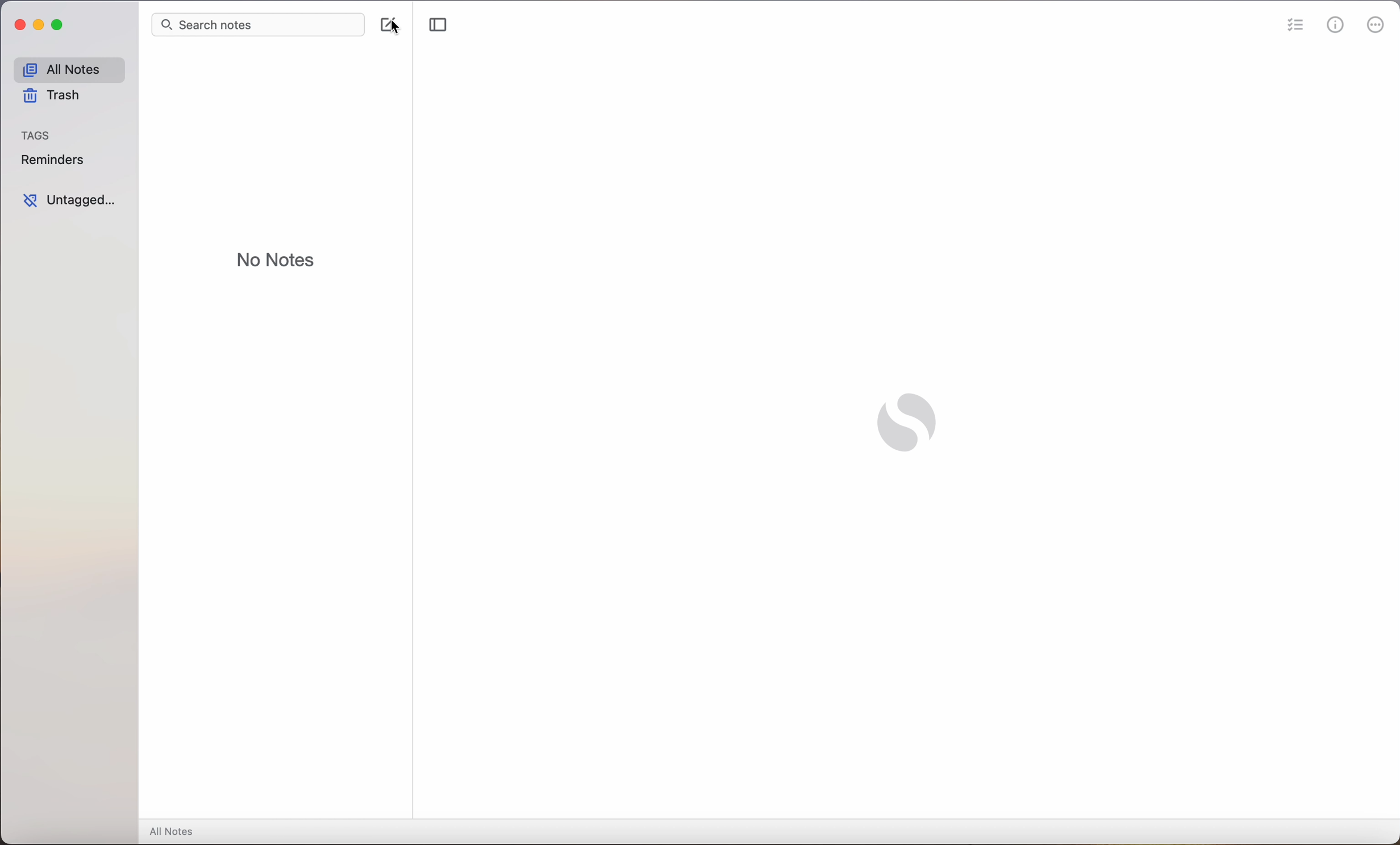 The image size is (1400, 845). I want to click on Simplenote logo, so click(906, 421).